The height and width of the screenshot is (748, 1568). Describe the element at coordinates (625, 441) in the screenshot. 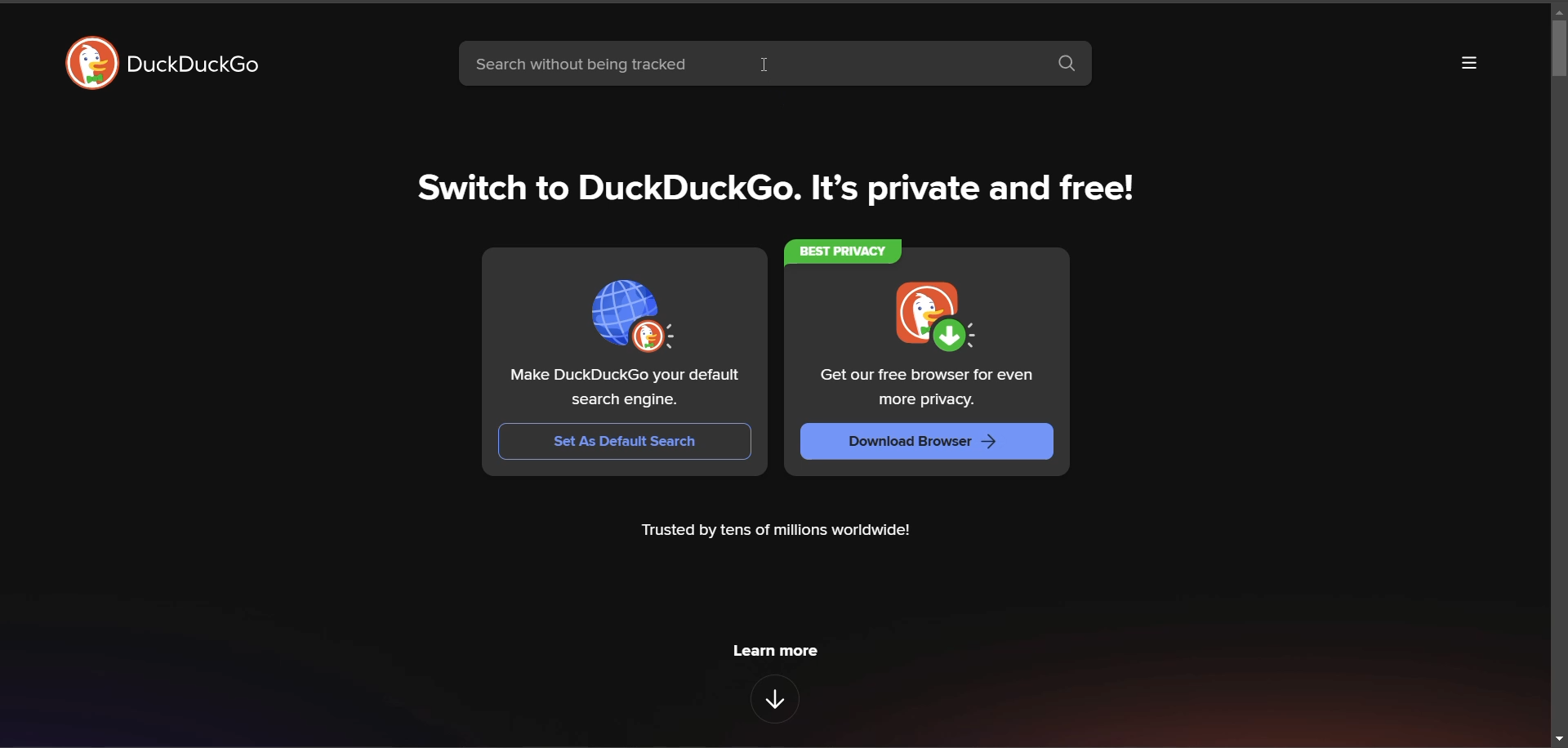

I see `set as default switch` at that location.